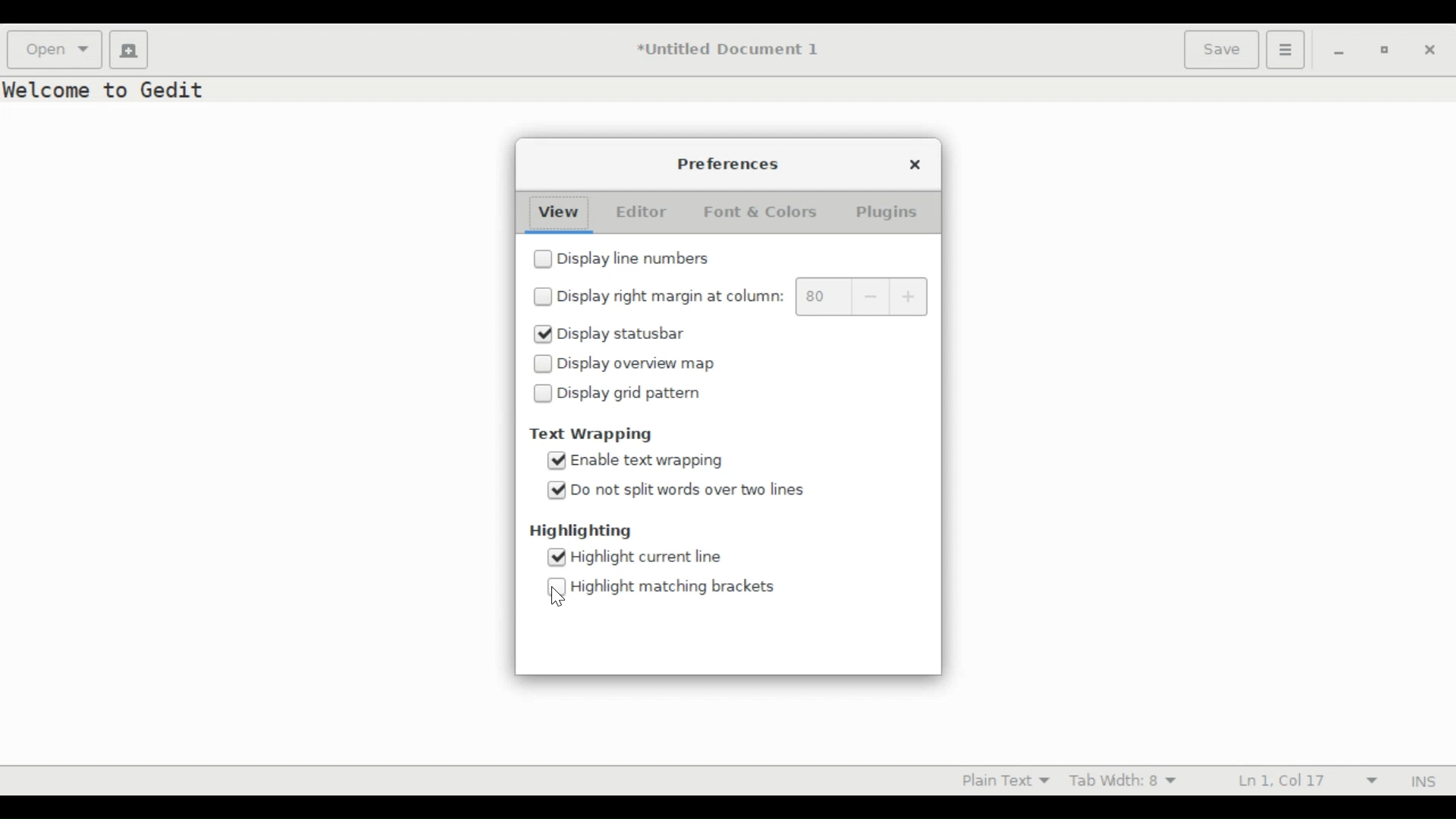 This screenshot has height=819, width=1456. What do you see at coordinates (638, 211) in the screenshot?
I see `Editor` at bounding box center [638, 211].